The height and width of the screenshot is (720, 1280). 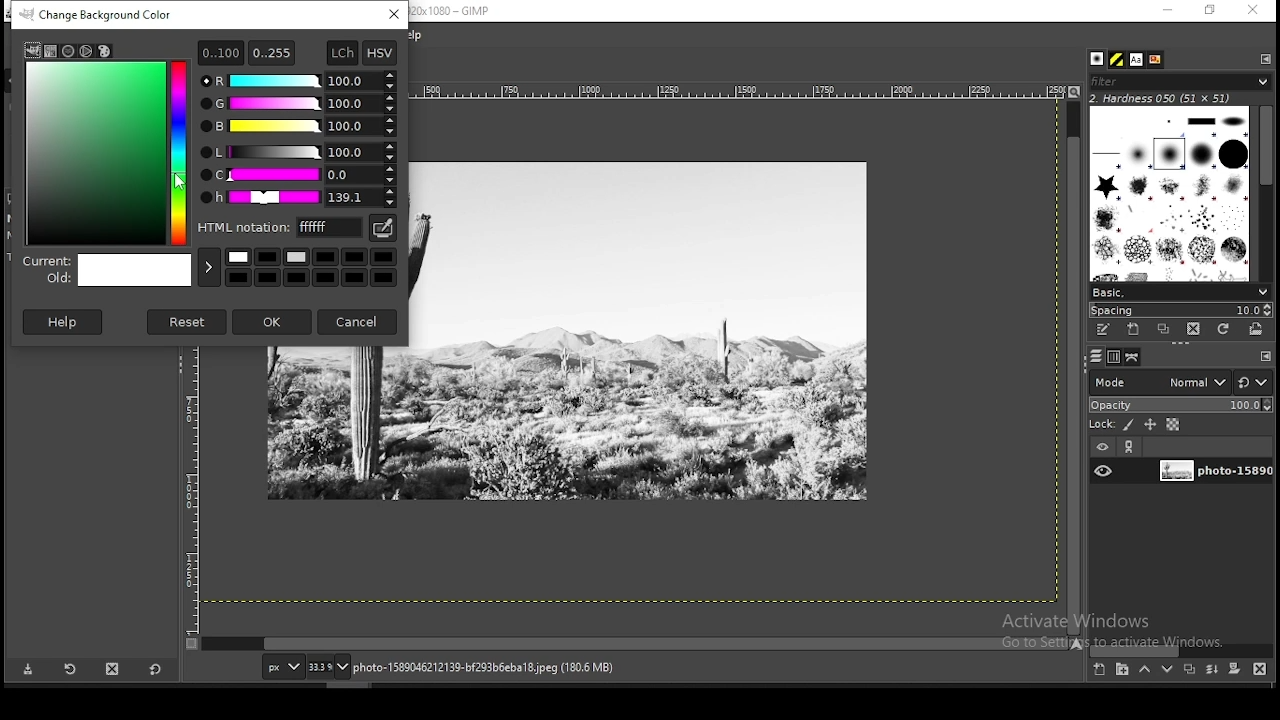 What do you see at coordinates (72, 668) in the screenshot?
I see `reload tool preset` at bounding box center [72, 668].